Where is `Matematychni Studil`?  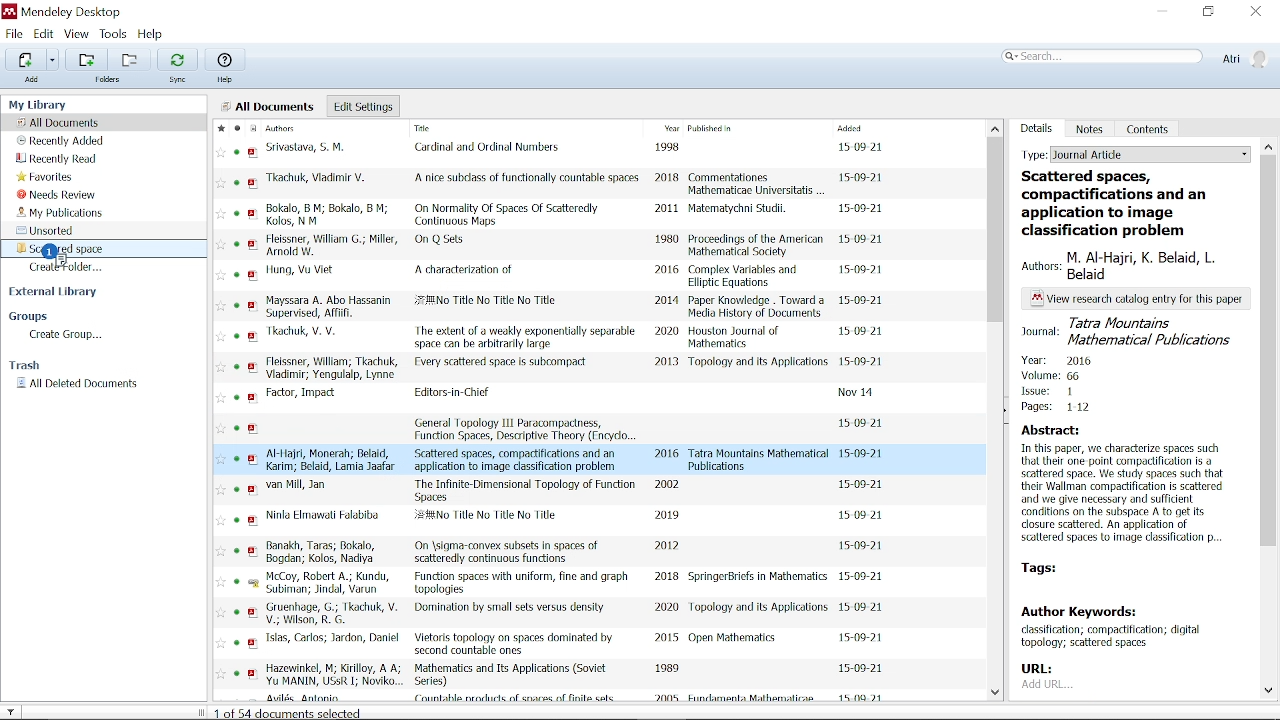 Matematychni Studil is located at coordinates (739, 211).